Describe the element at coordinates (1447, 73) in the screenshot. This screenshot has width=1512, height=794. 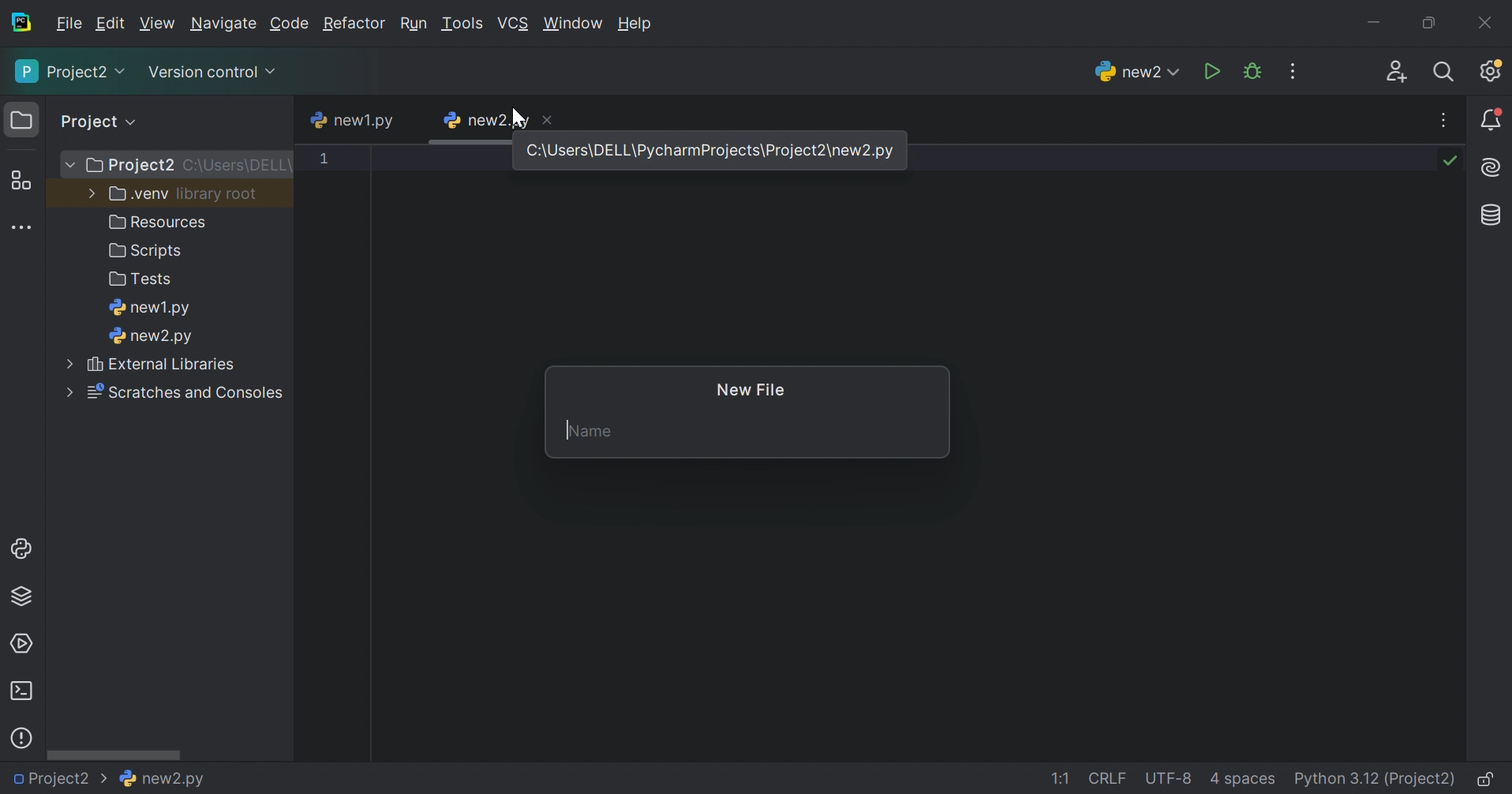
I see `Search everywhere` at that location.